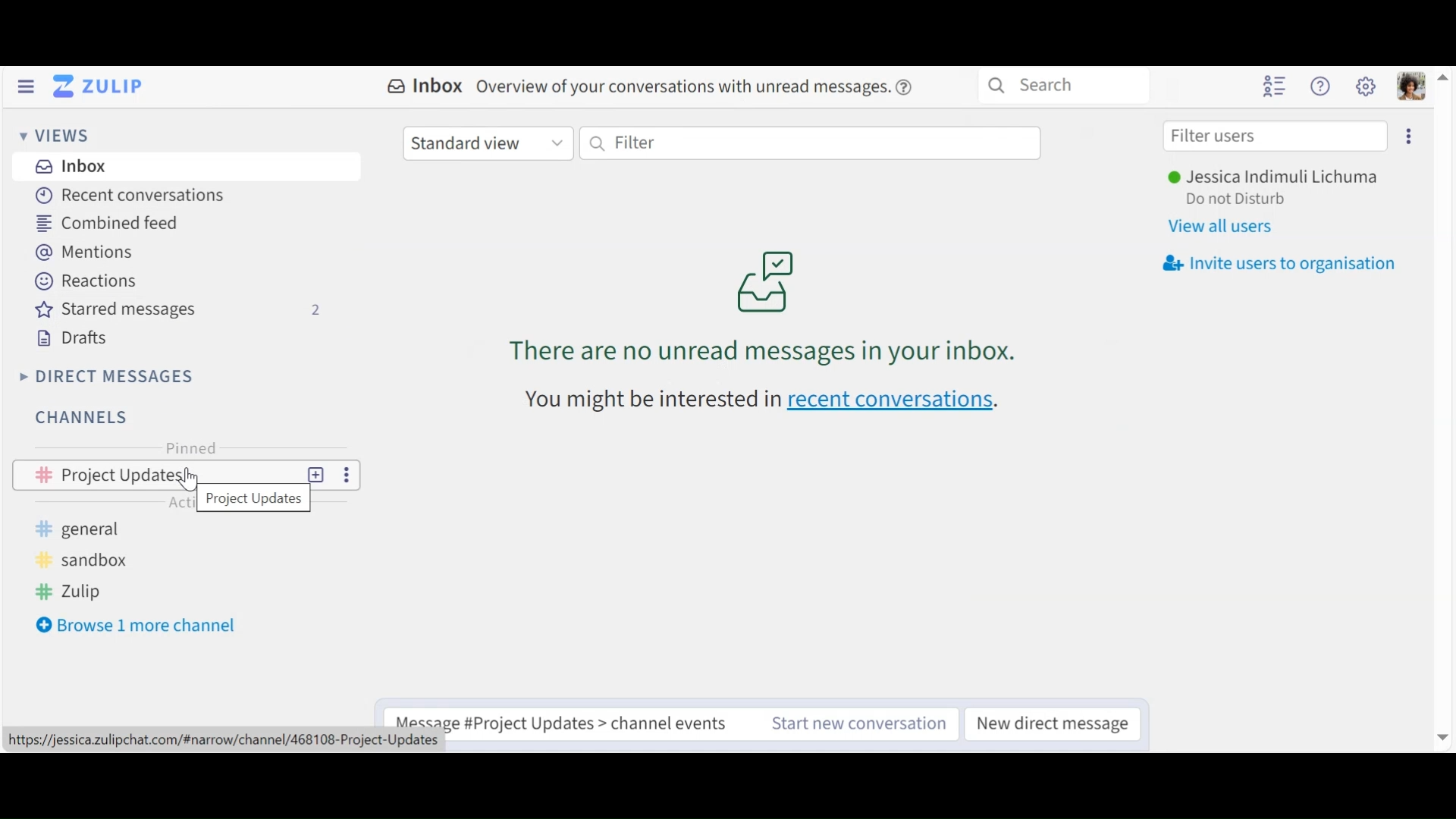  What do you see at coordinates (1367, 88) in the screenshot?
I see `Main menu` at bounding box center [1367, 88].